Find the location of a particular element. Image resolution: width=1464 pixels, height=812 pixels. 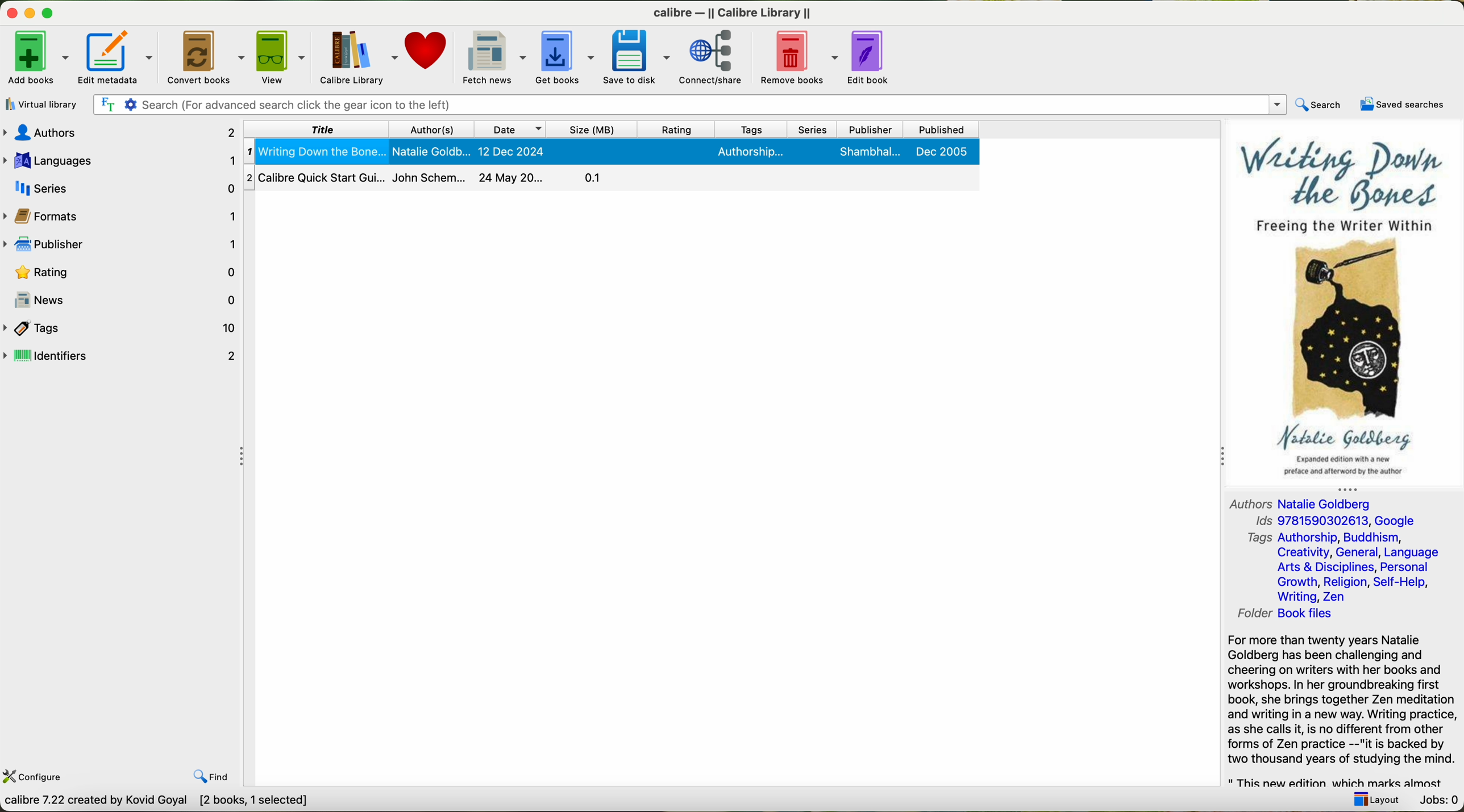

click on add books is located at coordinates (38, 56).